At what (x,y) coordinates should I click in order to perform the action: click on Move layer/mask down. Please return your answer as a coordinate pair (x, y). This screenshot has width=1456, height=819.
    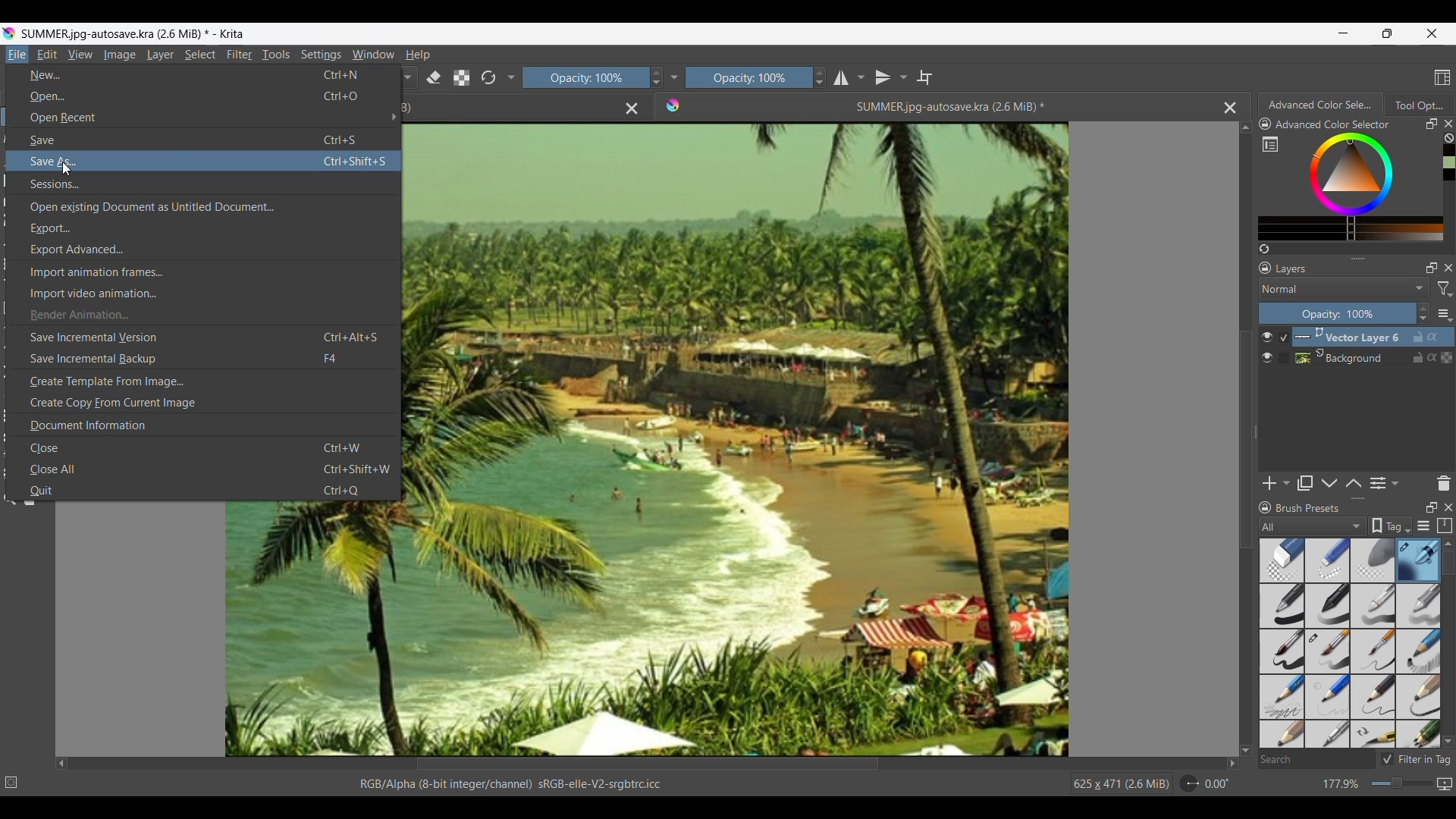
    Looking at the image, I should click on (1329, 483).